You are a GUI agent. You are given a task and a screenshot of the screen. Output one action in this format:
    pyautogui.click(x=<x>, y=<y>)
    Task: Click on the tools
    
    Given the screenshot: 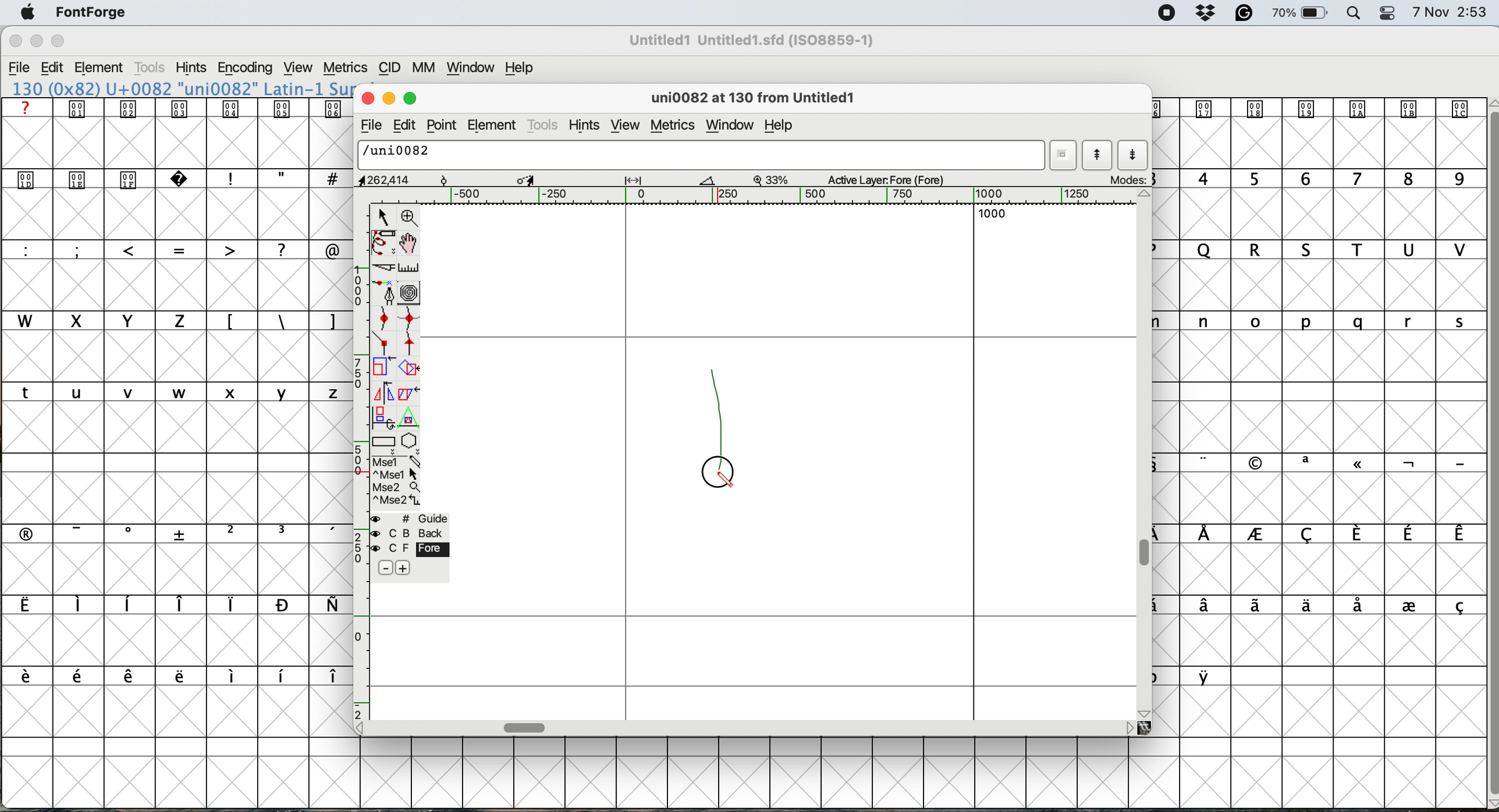 What is the action you would take?
    pyautogui.click(x=151, y=67)
    